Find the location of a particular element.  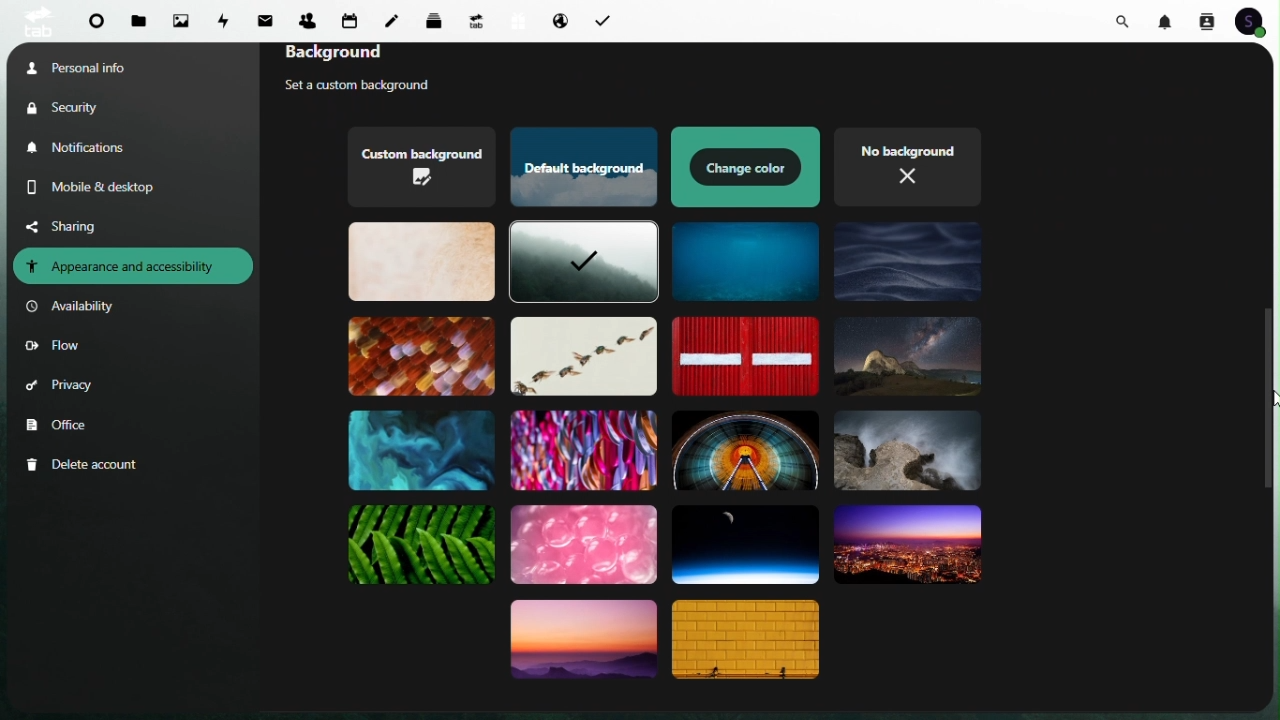

Themes is located at coordinates (584, 645).